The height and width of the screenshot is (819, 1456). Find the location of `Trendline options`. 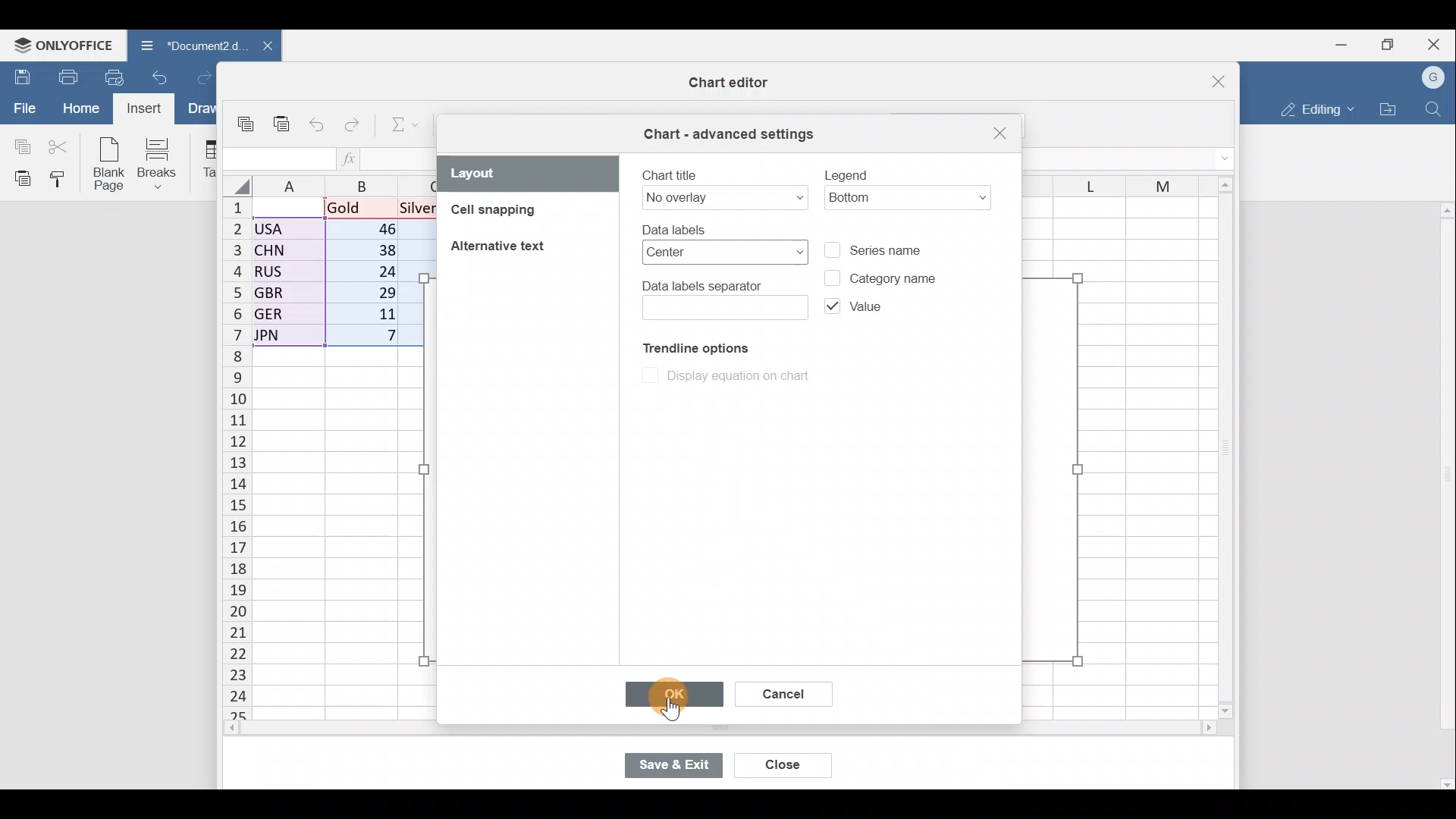

Trendline options is located at coordinates (688, 345).